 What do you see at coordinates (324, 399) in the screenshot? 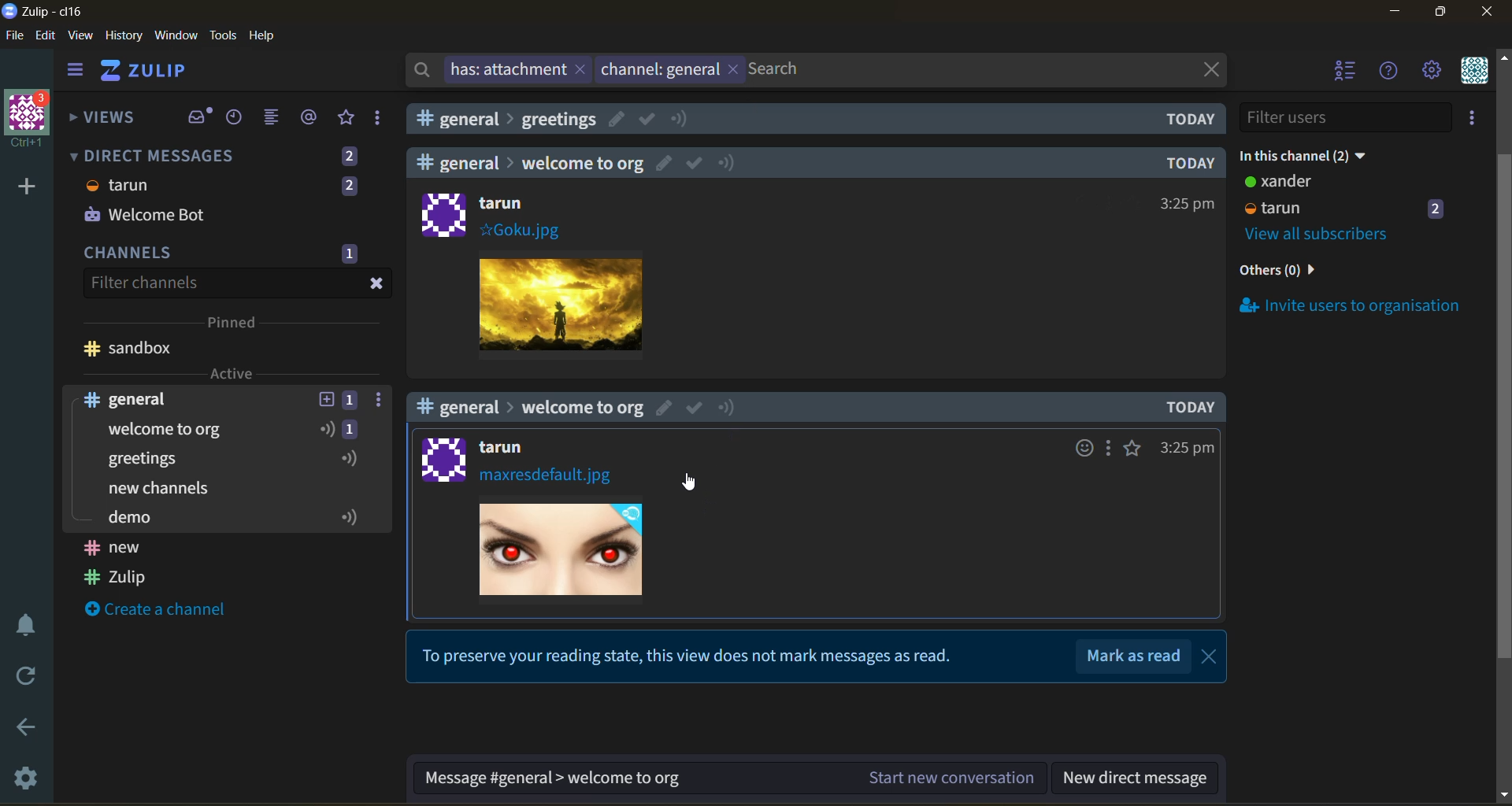
I see `add` at bounding box center [324, 399].